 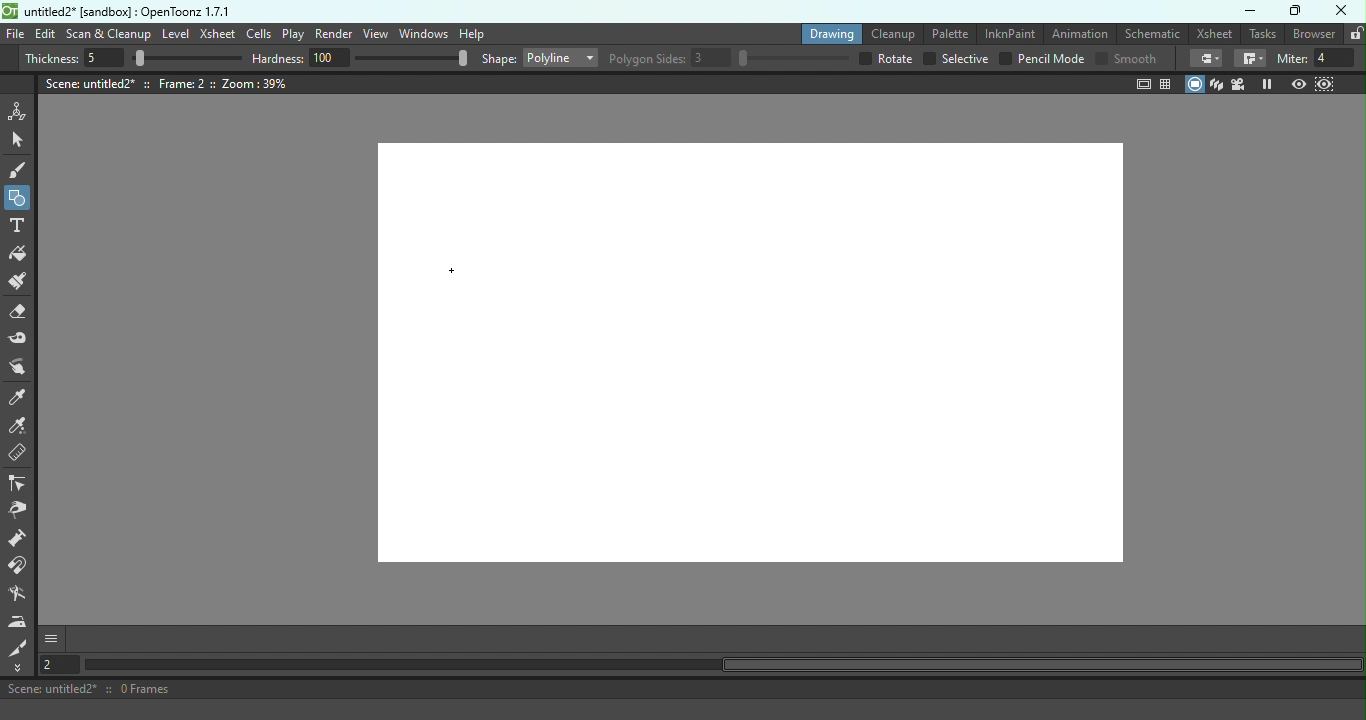 What do you see at coordinates (108, 34) in the screenshot?
I see `Scan & Cleanup` at bounding box center [108, 34].